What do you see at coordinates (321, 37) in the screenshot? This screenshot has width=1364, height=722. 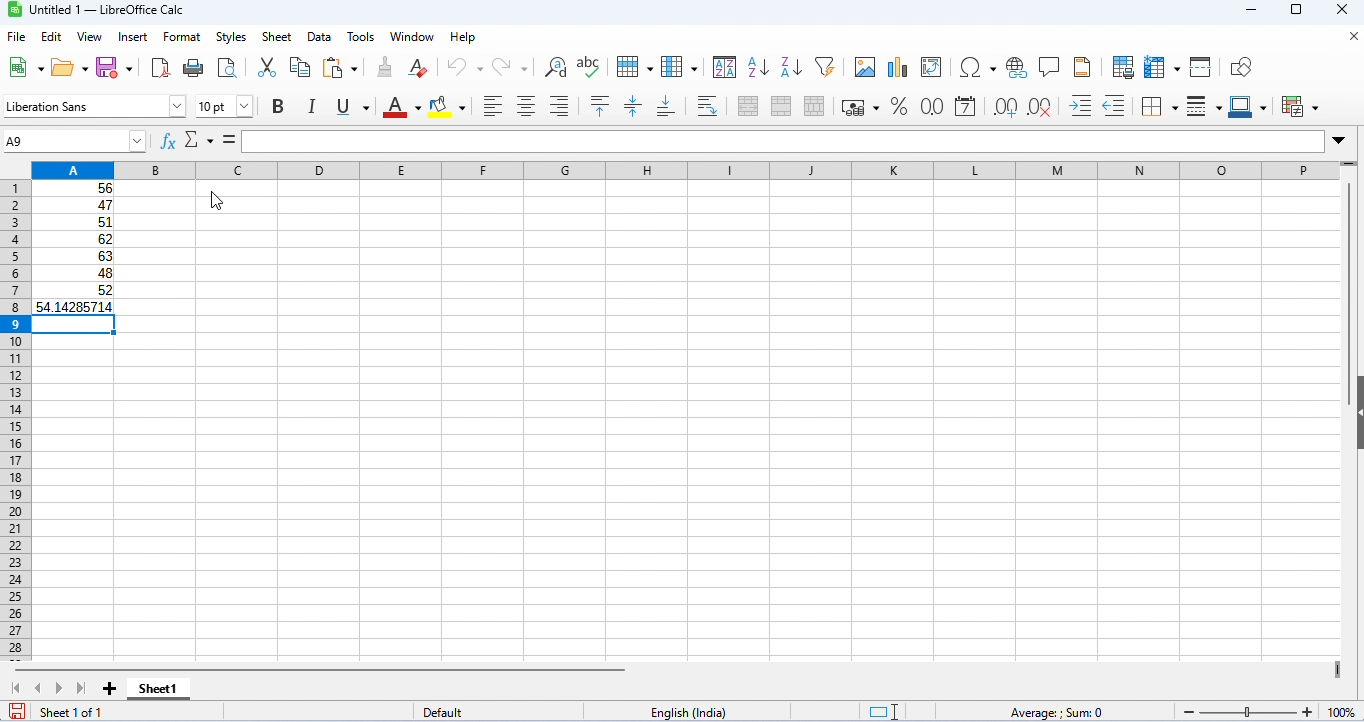 I see `data` at bounding box center [321, 37].